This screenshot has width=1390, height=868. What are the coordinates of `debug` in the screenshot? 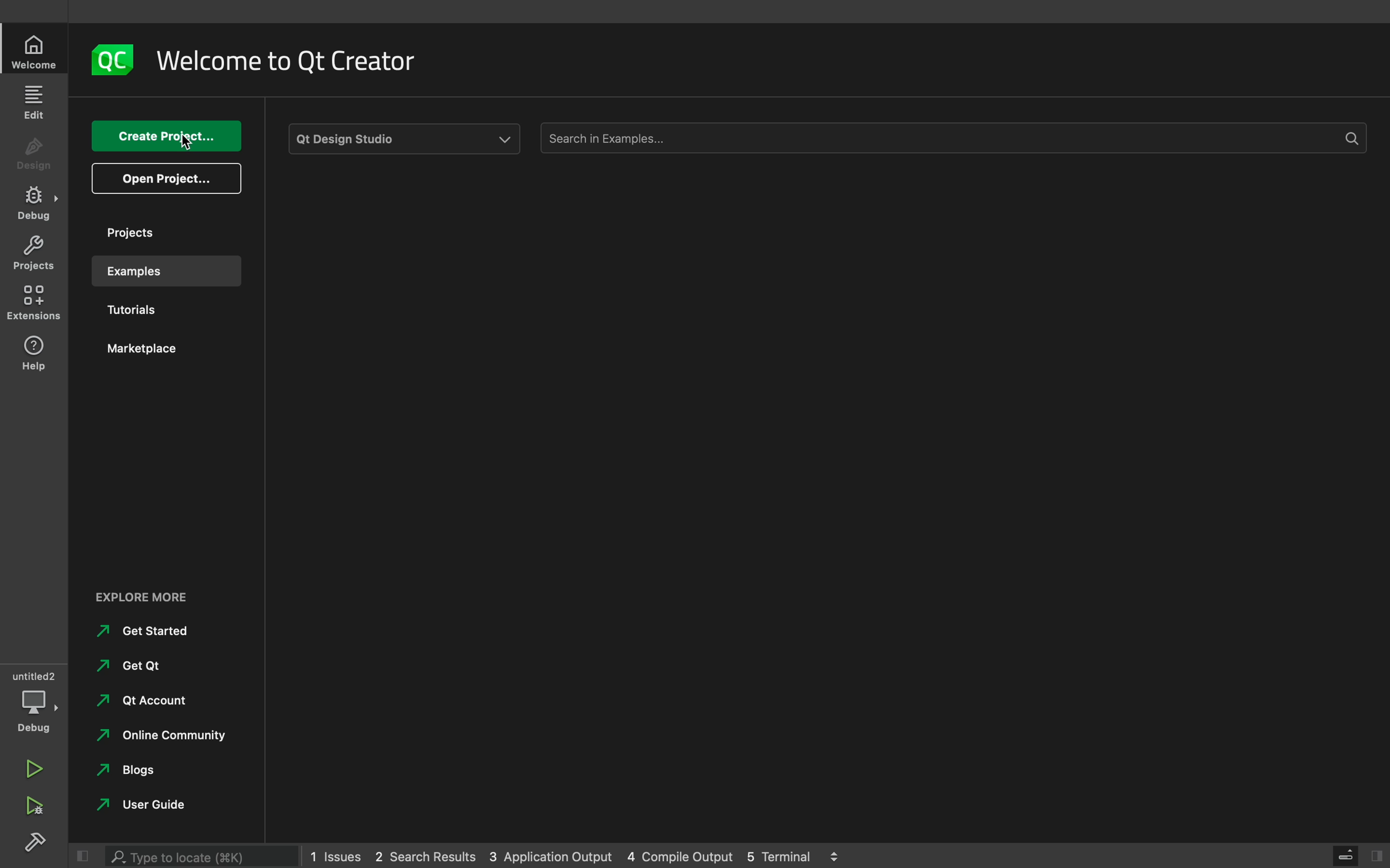 It's located at (34, 203).